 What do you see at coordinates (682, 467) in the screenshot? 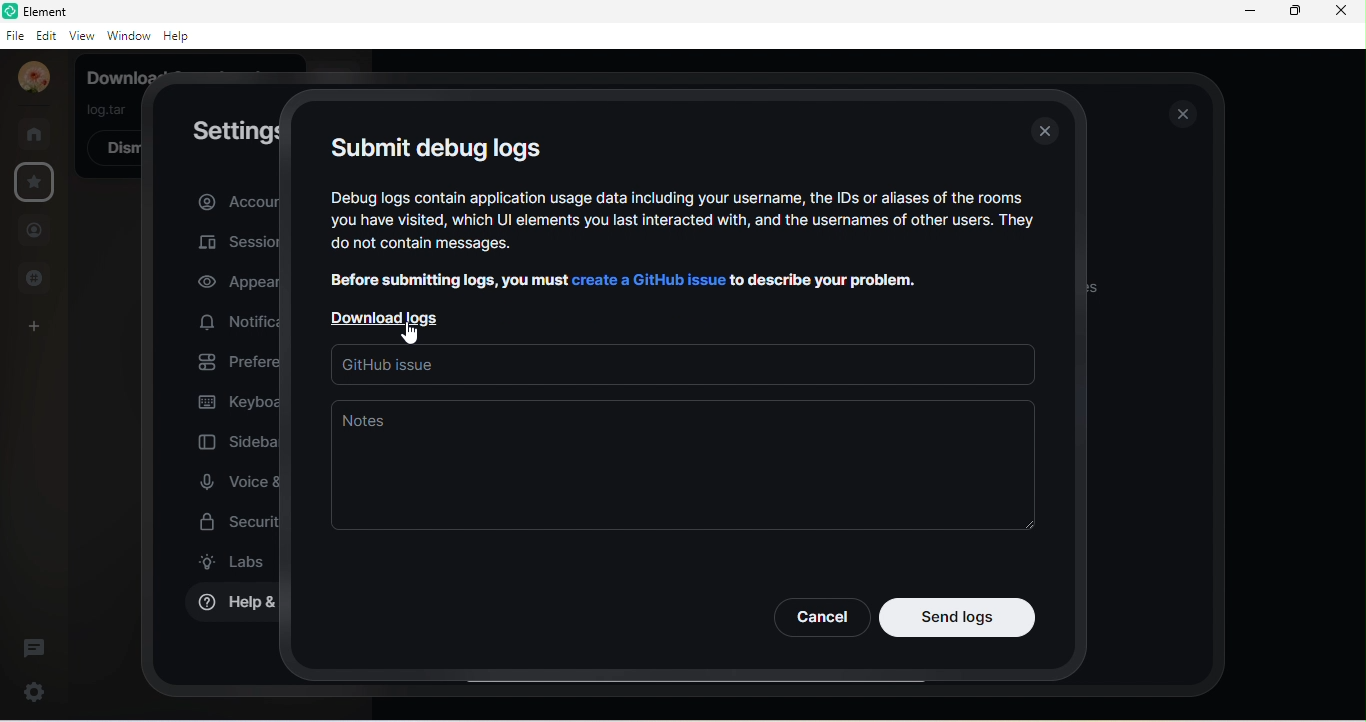
I see `notes` at bounding box center [682, 467].